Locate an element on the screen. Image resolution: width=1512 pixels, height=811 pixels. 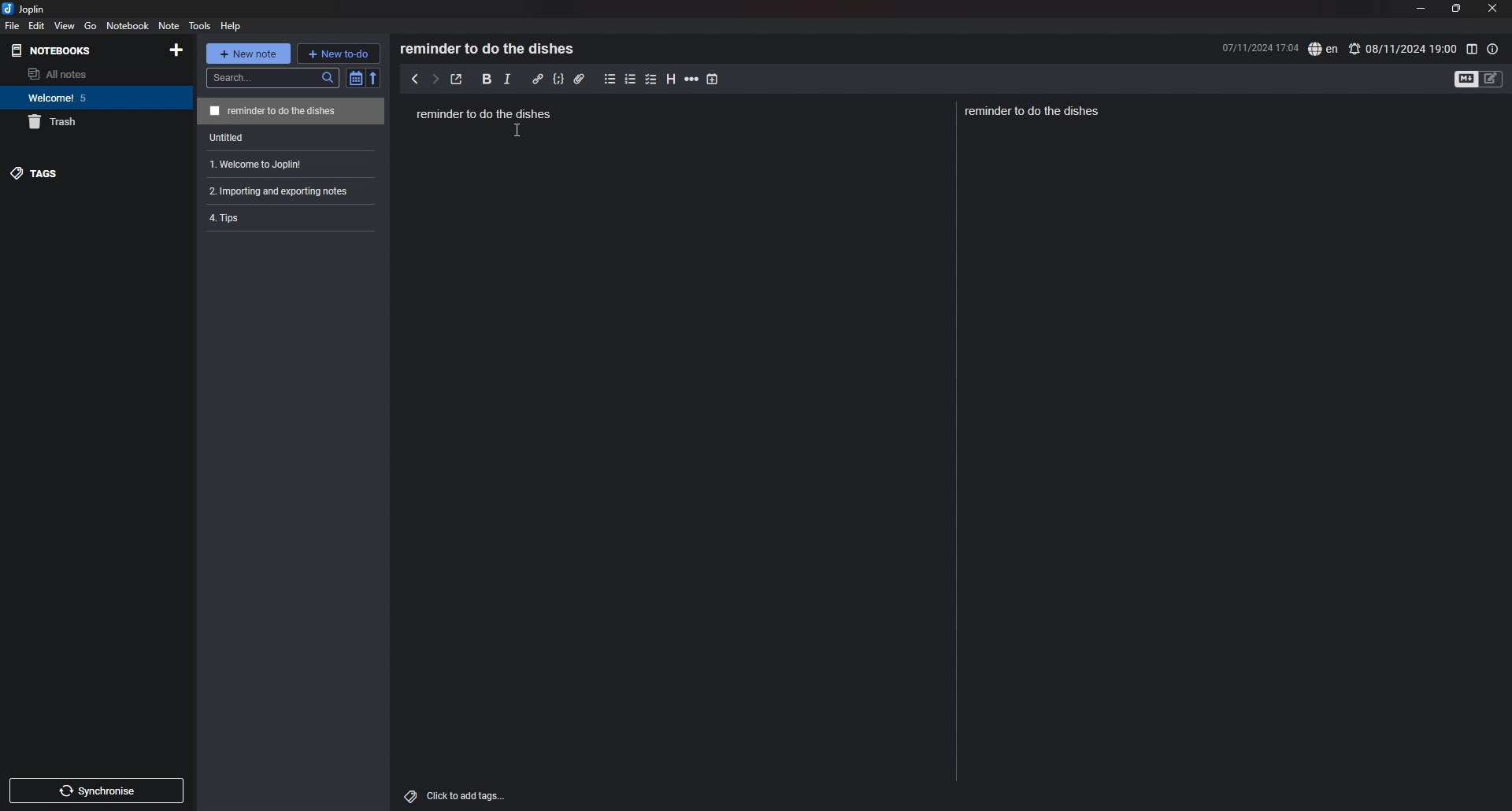
all notes is located at coordinates (83, 73).